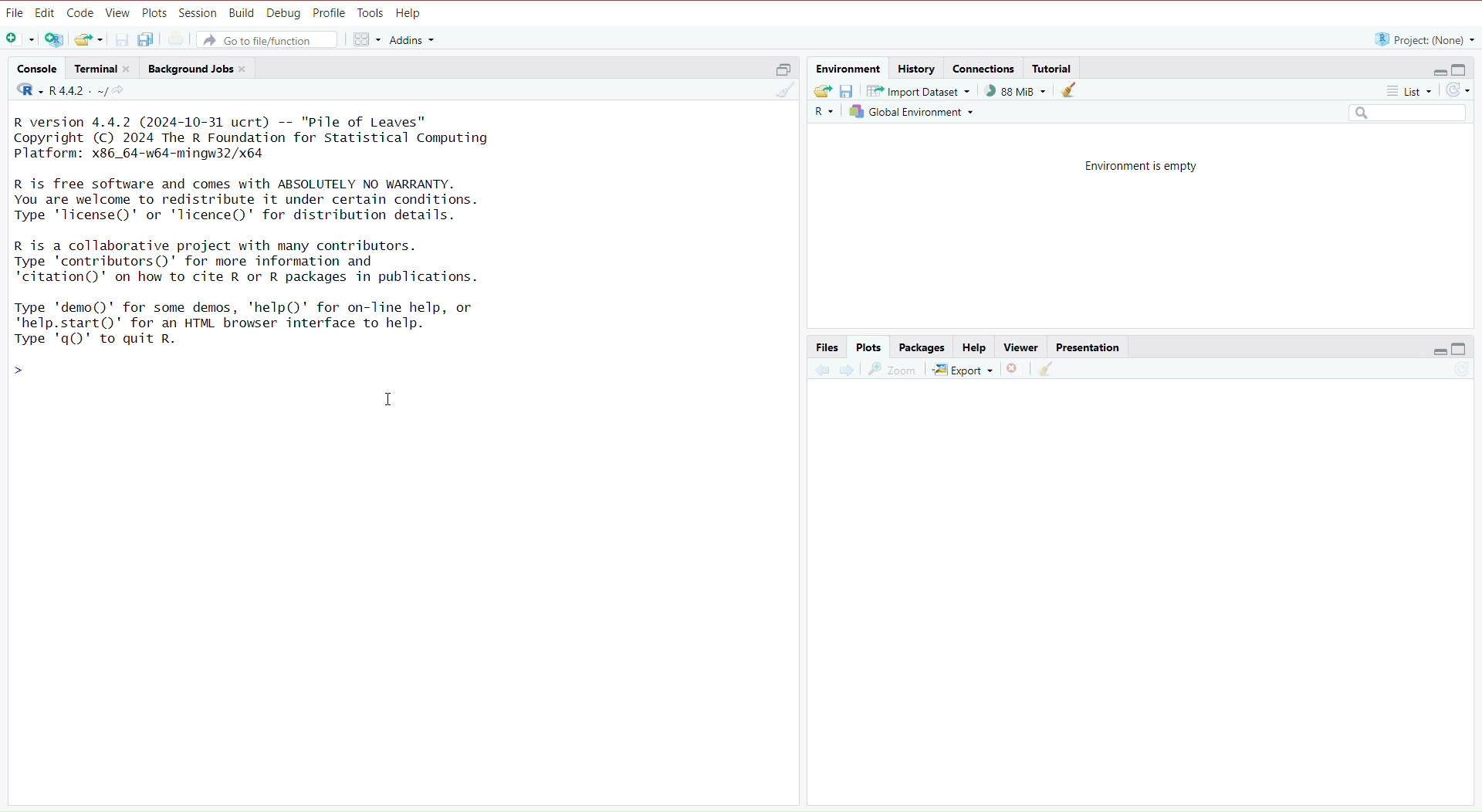  I want to click on import dataset, so click(923, 90).